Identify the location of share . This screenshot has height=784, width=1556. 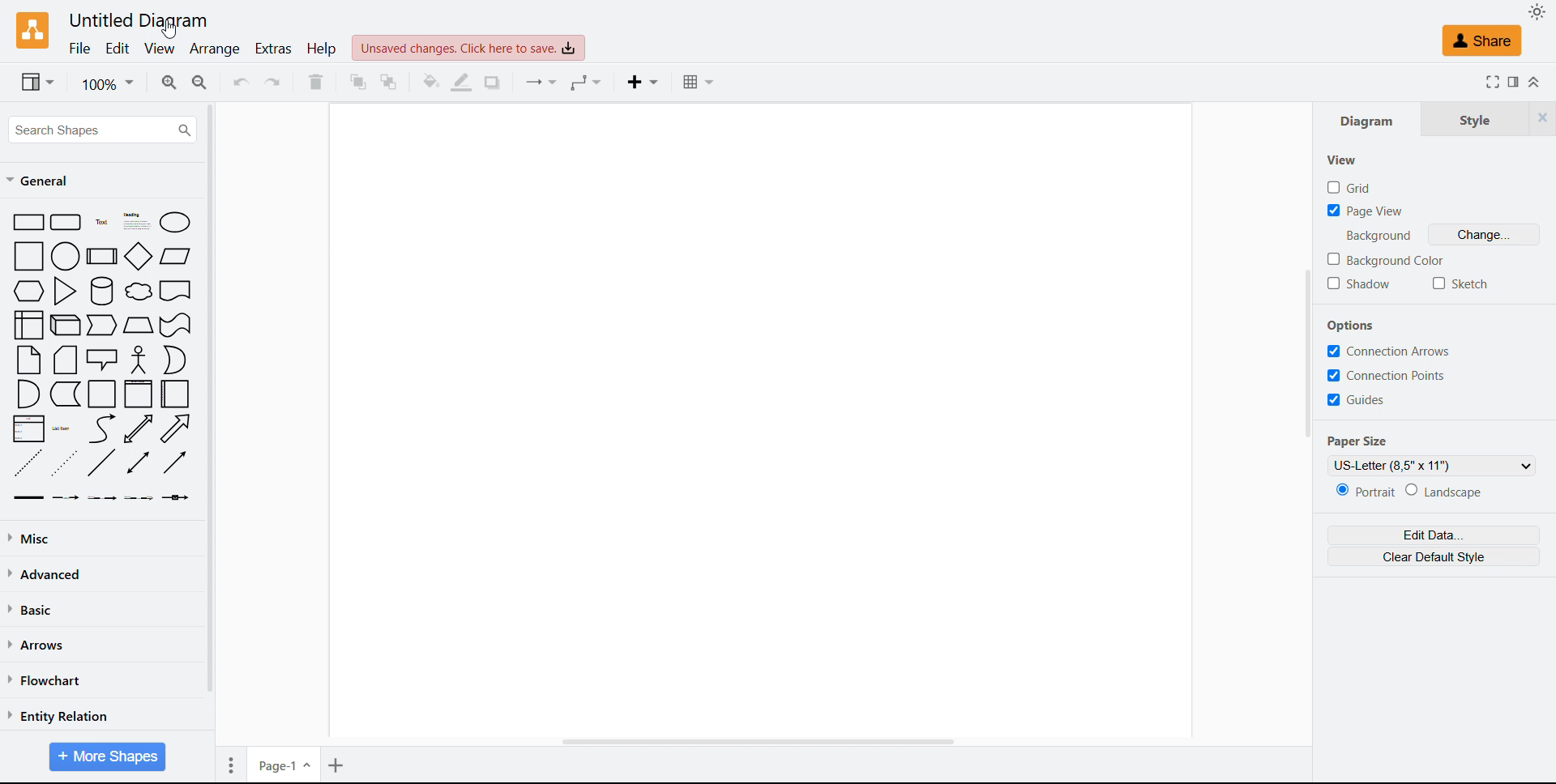
(1483, 40).